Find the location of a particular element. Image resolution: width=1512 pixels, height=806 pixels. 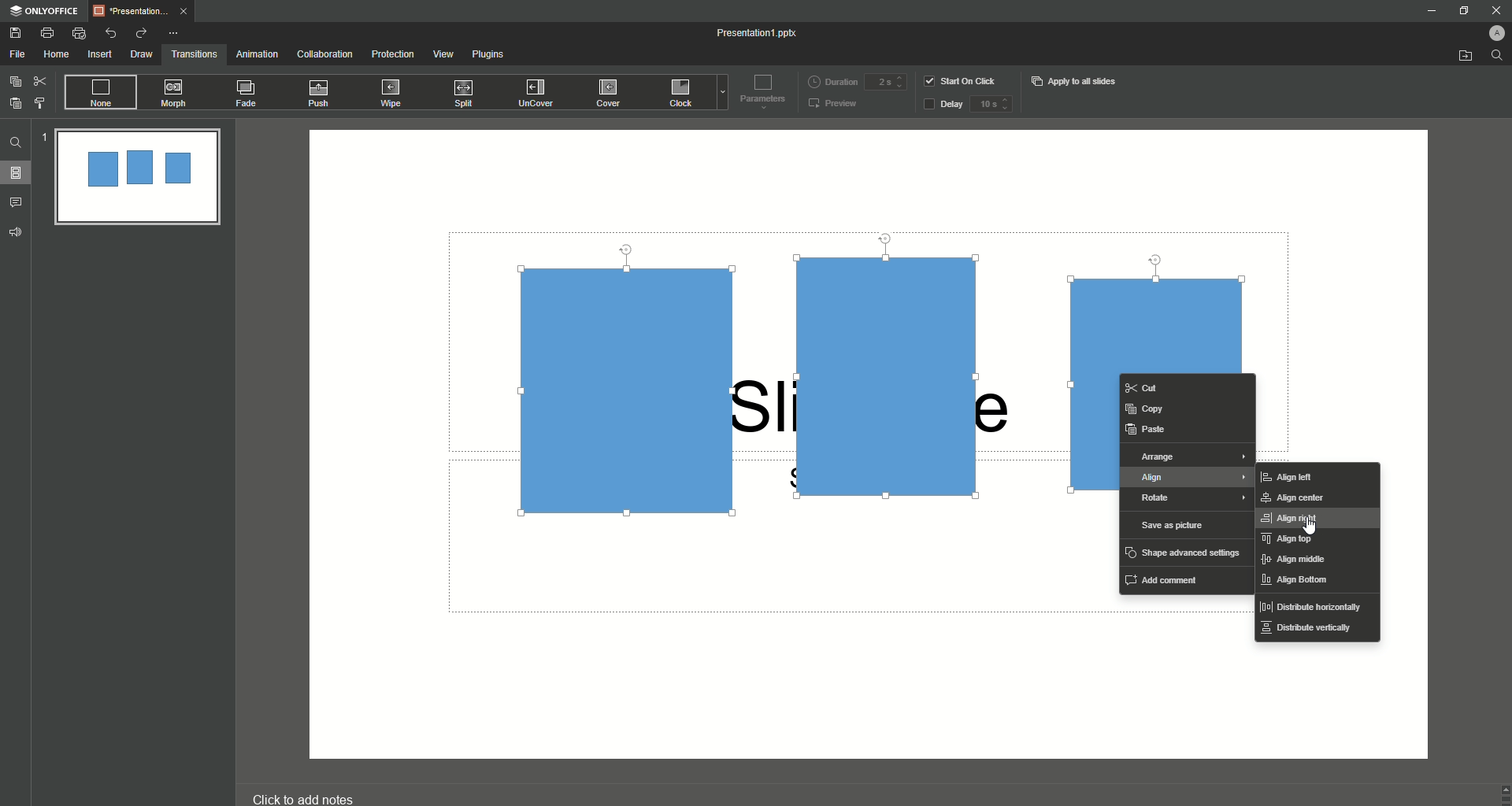

Delay button is located at coordinates (943, 105).